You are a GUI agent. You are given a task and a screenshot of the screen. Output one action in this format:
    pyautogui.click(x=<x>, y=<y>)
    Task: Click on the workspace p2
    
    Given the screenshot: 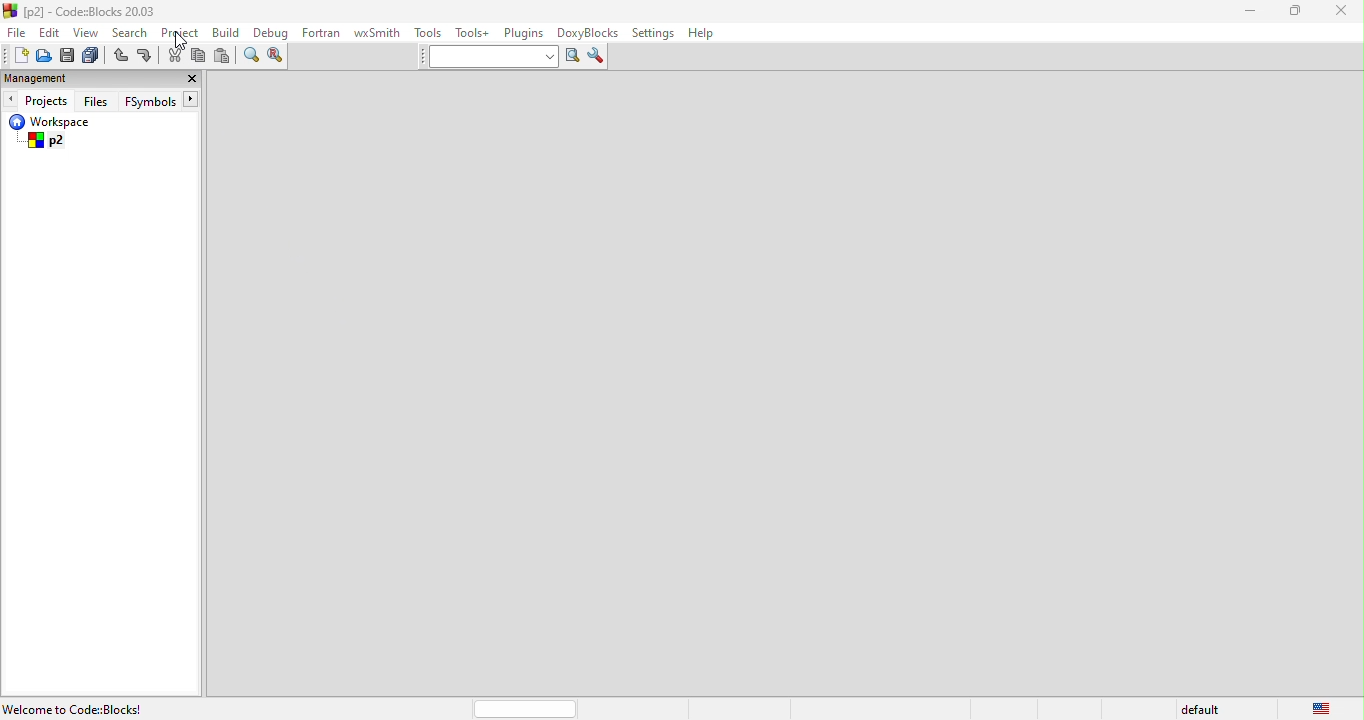 What is the action you would take?
    pyautogui.click(x=80, y=133)
    